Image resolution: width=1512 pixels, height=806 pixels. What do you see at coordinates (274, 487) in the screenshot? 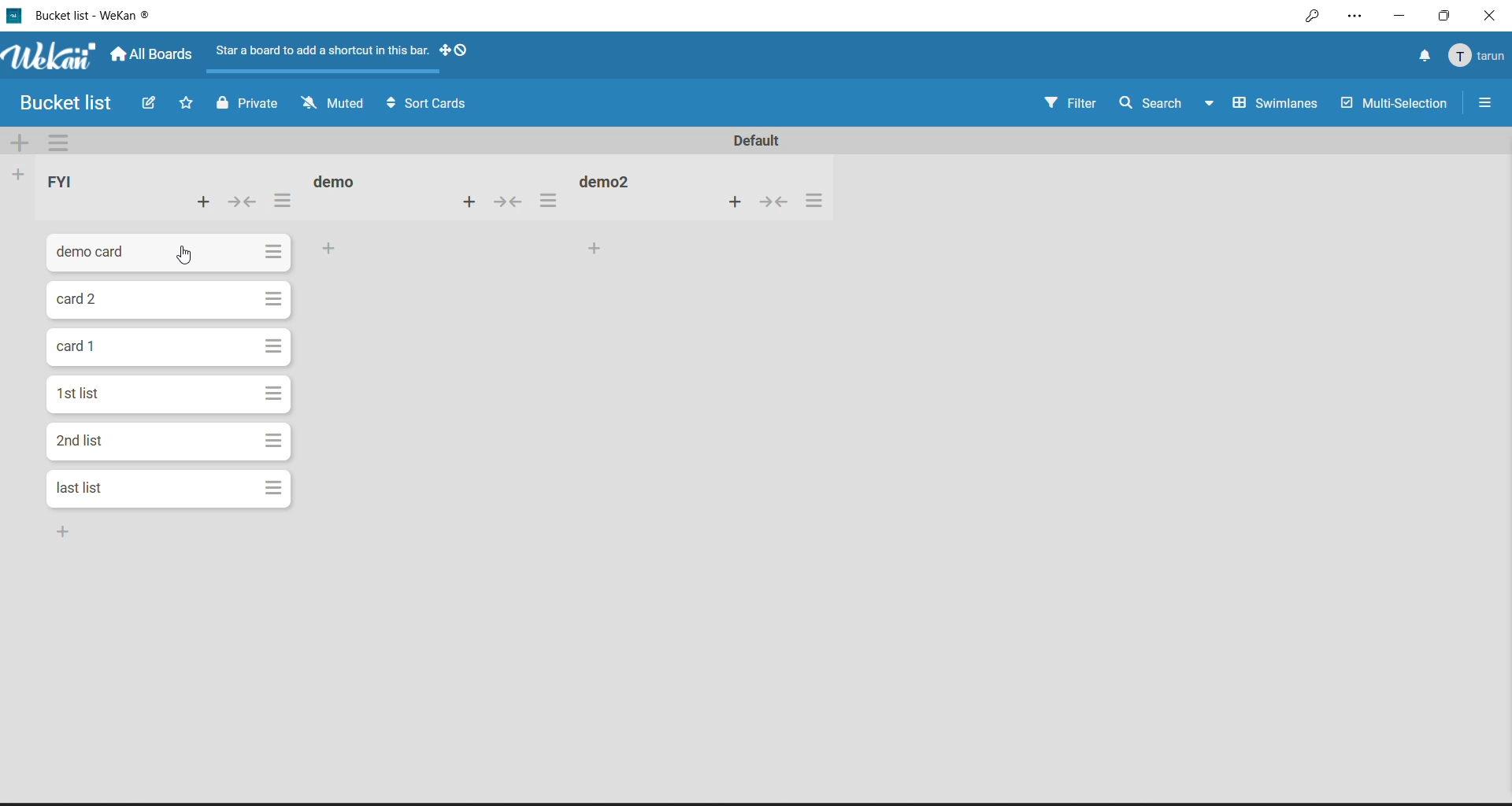
I see `card actions` at bounding box center [274, 487].